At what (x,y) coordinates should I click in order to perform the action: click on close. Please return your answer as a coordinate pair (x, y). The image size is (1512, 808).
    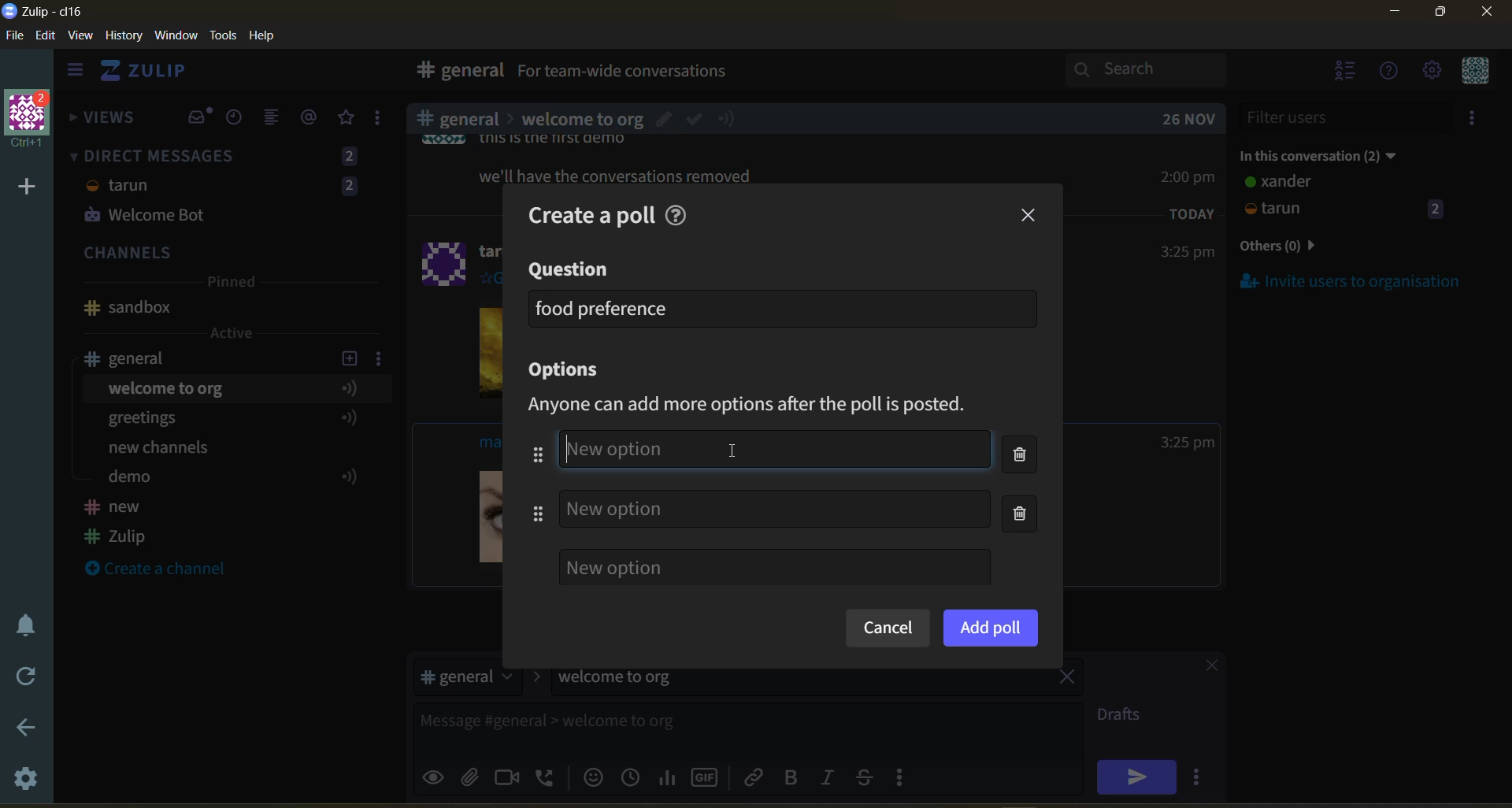
    Looking at the image, I should click on (1488, 17).